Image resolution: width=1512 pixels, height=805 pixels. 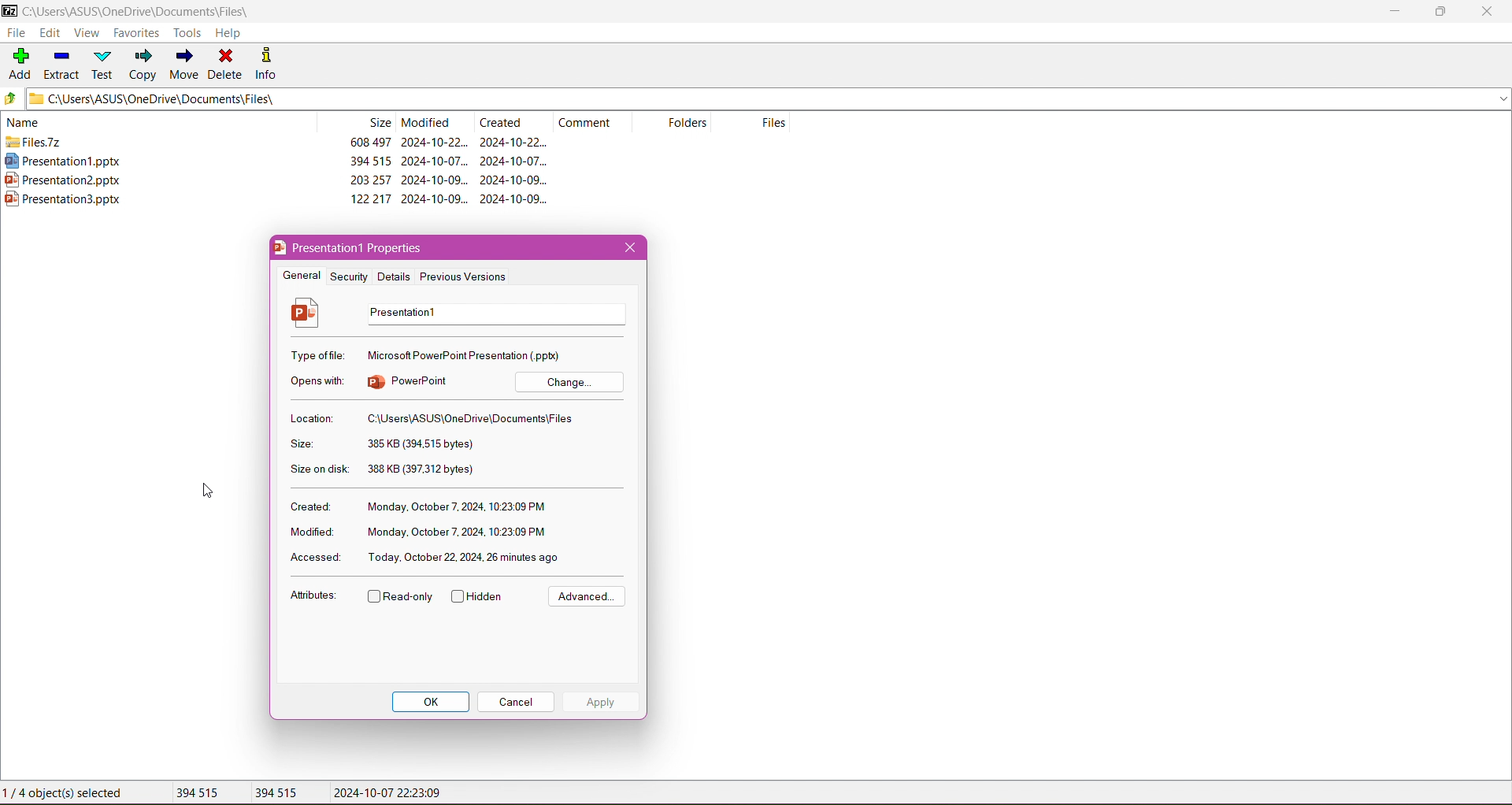 I want to click on OK, so click(x=431, y=703).